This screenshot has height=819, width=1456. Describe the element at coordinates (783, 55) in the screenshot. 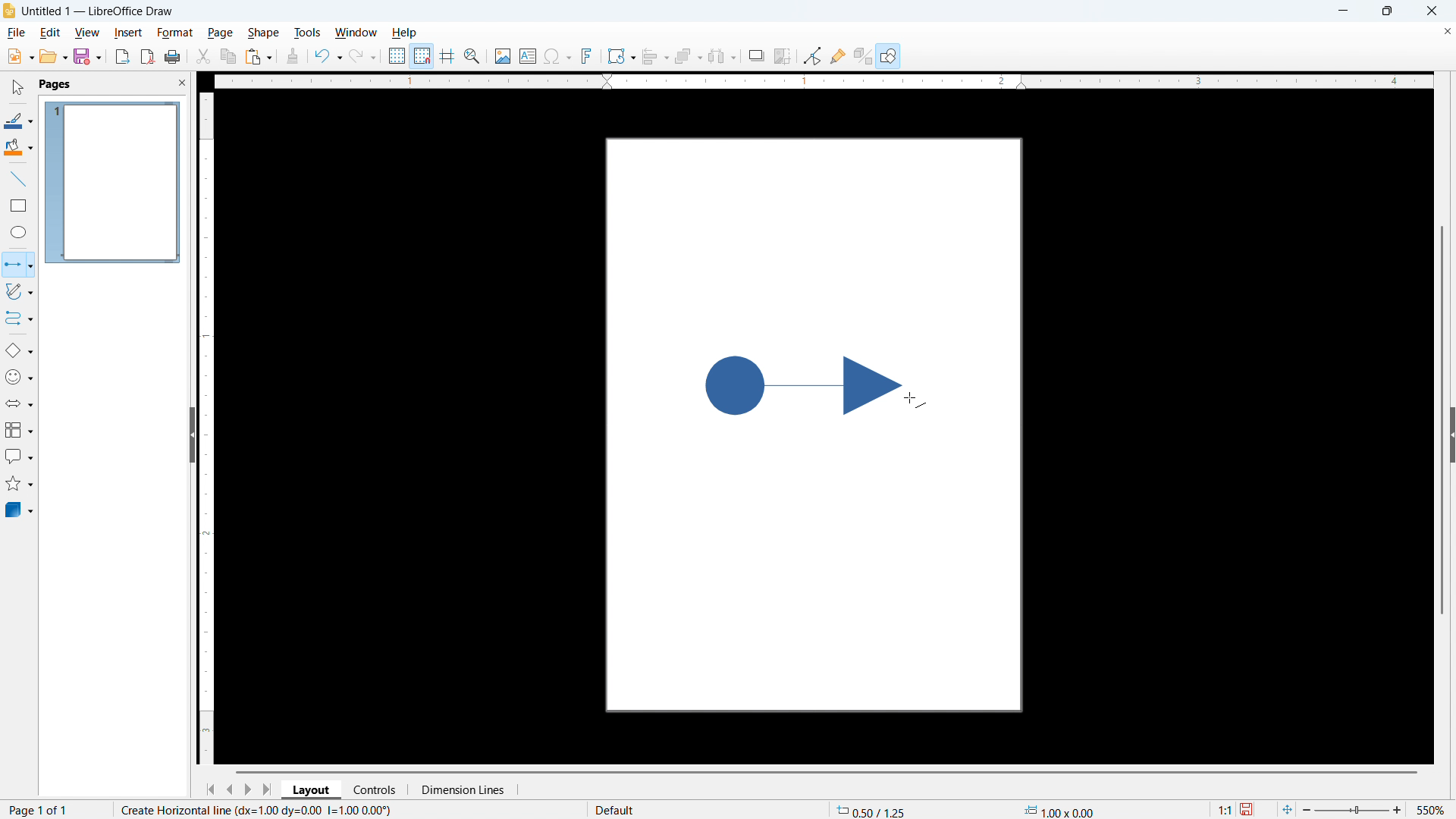

I see `Crop image ` at that location.